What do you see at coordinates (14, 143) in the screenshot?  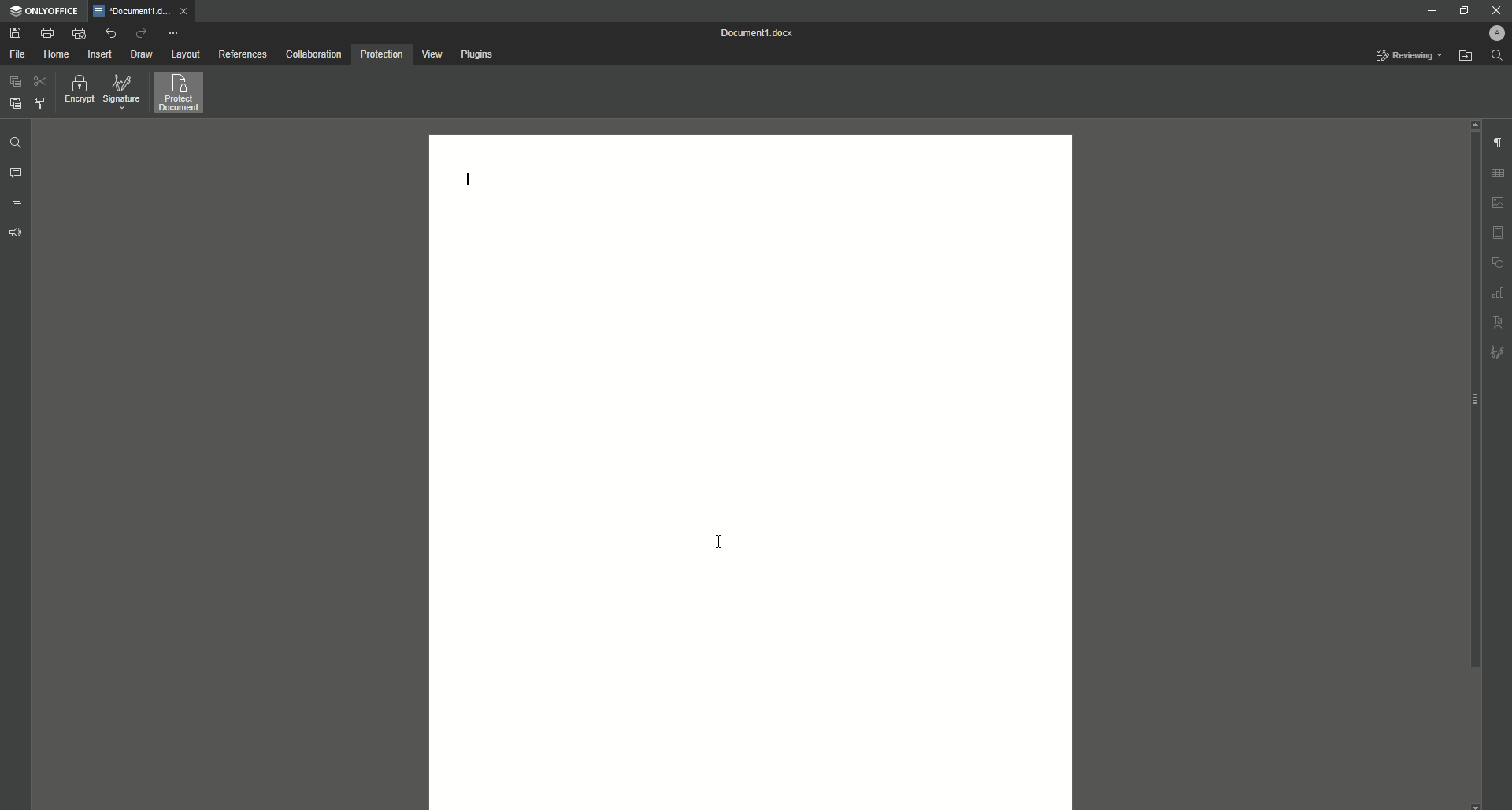 I see `Find` at bounding box center [14, 143].